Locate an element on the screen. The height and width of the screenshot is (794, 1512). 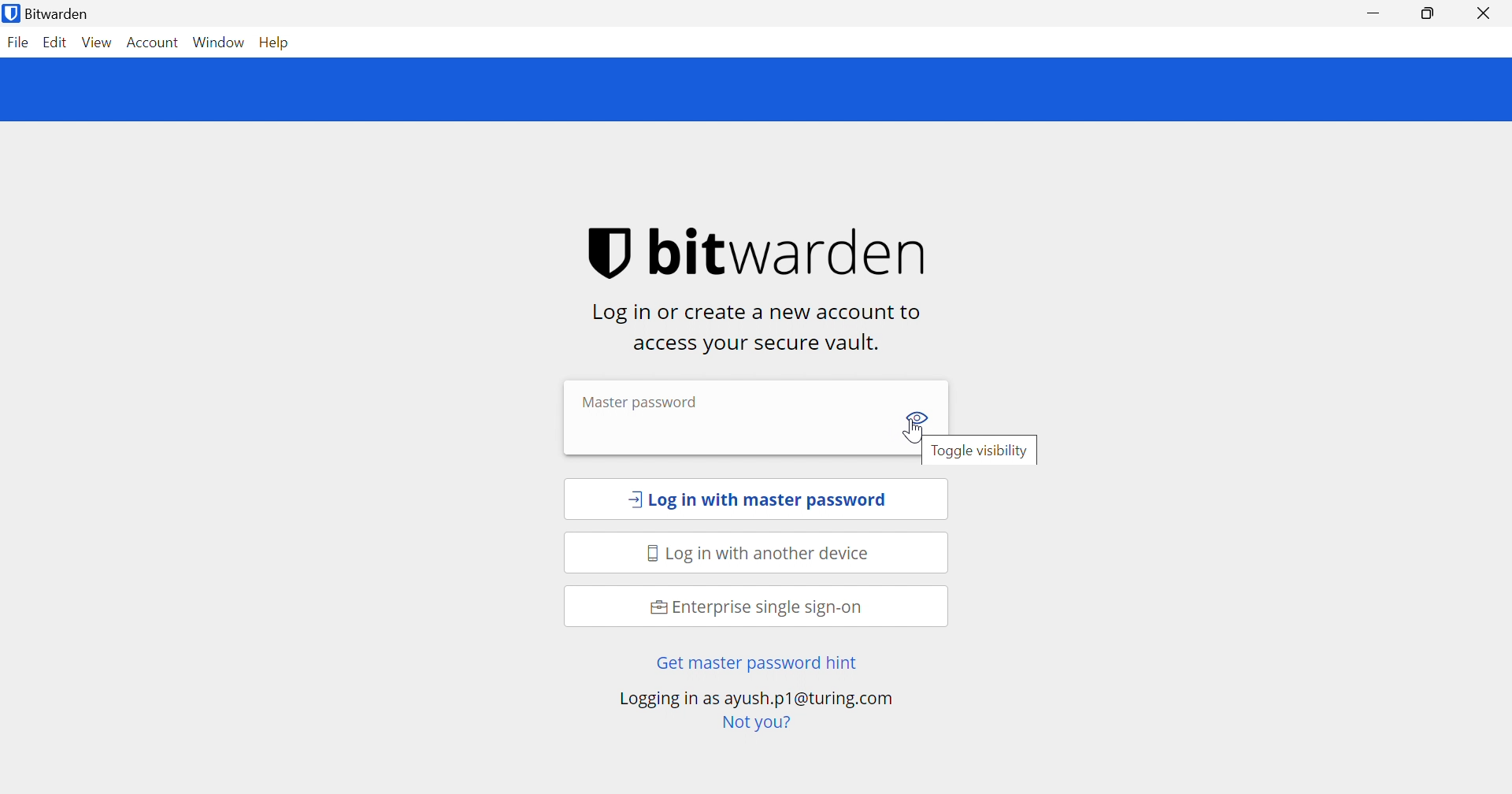
Edit is located at coordinates (57, 43).